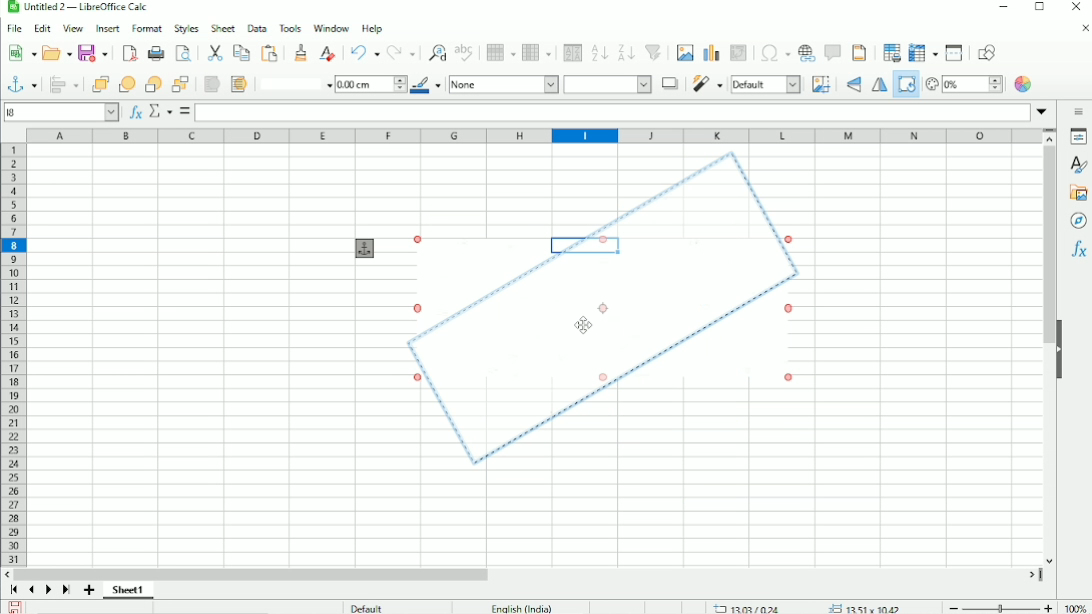  What do you see at coordinates (1079, 222) in the screenshot?
I see `Navigator` at bounding box center [1079, 222].